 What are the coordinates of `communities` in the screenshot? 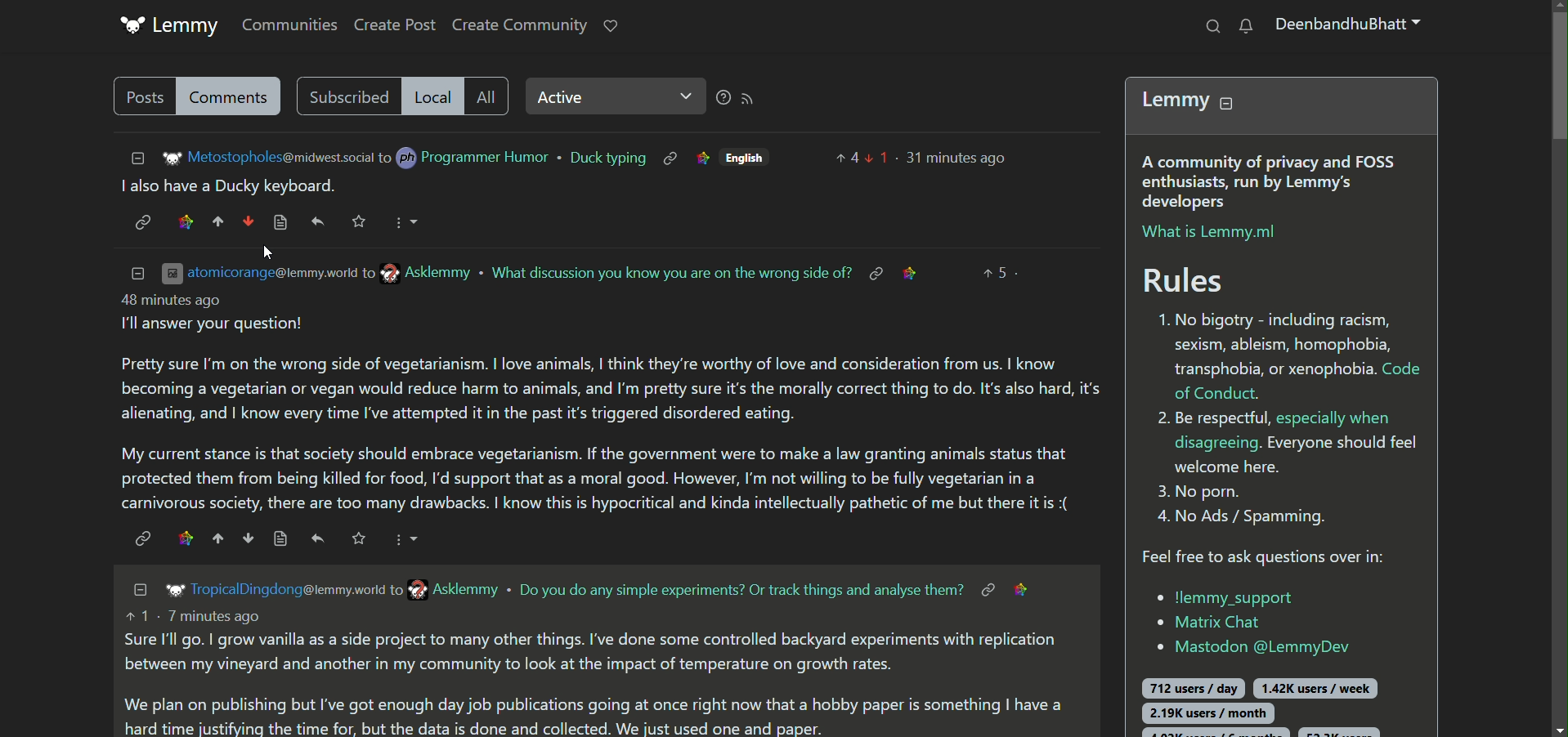 It's located at (284, 24).